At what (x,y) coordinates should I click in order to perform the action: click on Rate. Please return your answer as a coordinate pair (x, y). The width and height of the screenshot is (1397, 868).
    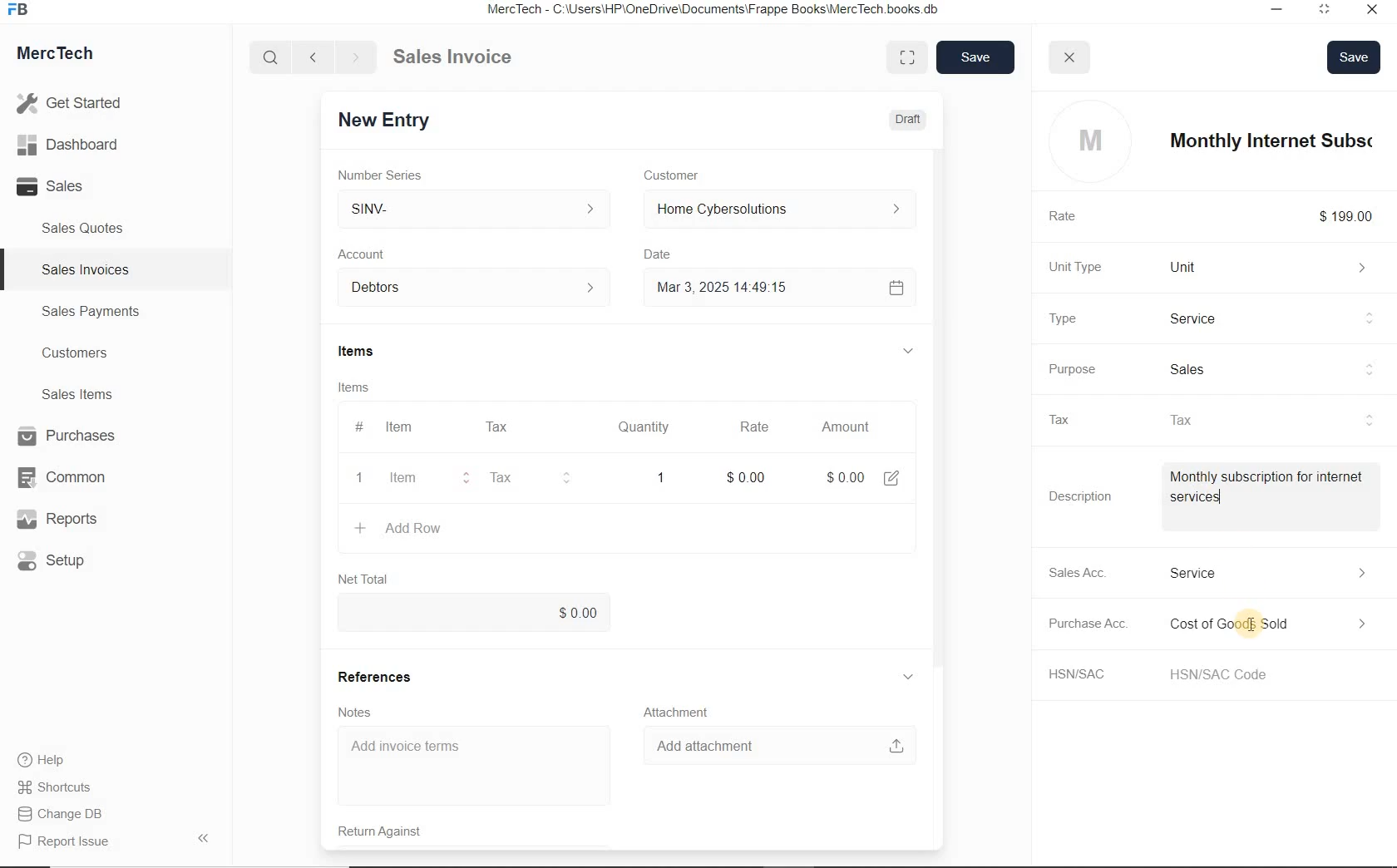
    Looking at the image, I should click on (1059, 217).